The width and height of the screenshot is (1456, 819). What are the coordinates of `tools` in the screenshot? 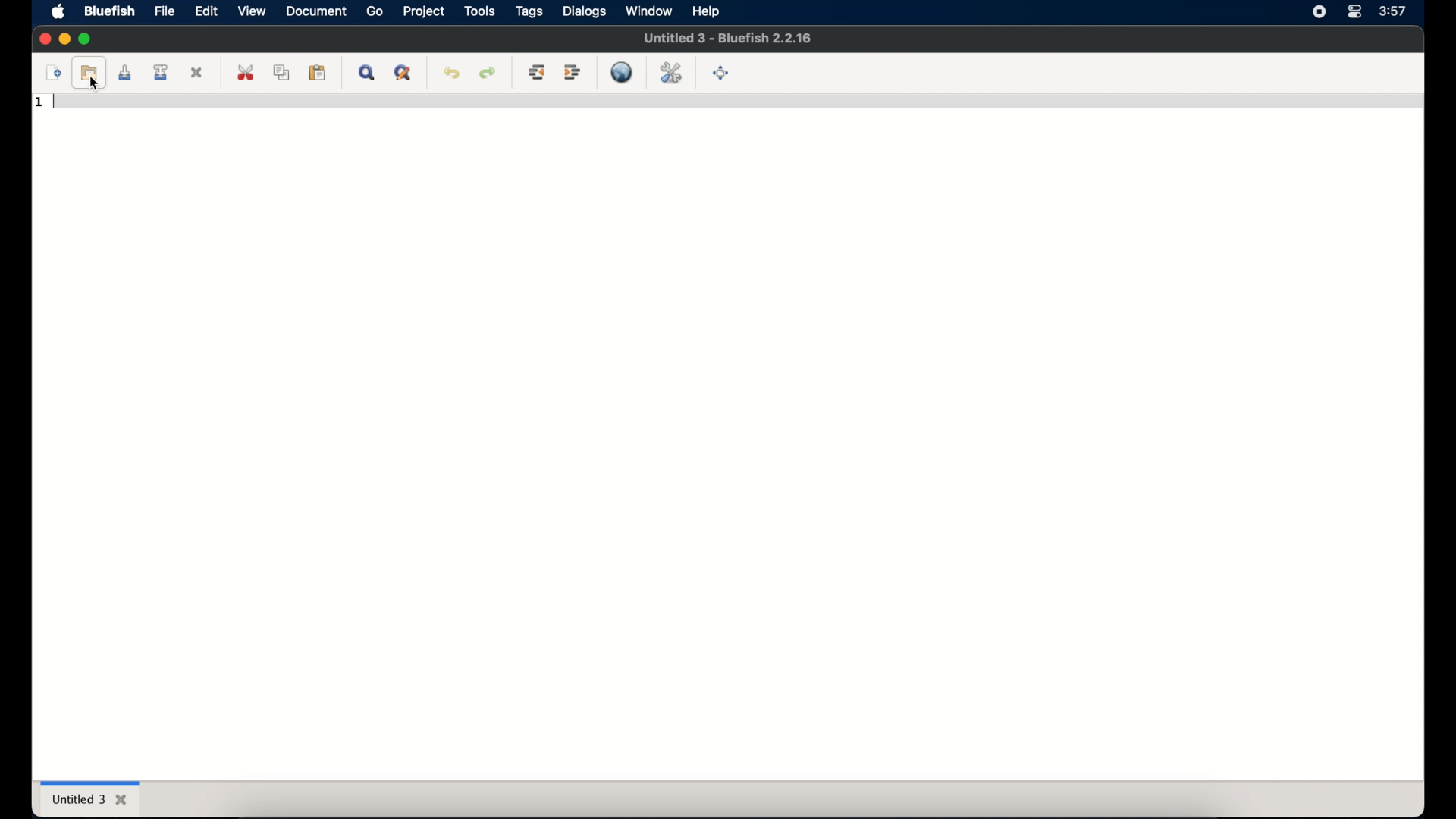 It's located at (479, 11).